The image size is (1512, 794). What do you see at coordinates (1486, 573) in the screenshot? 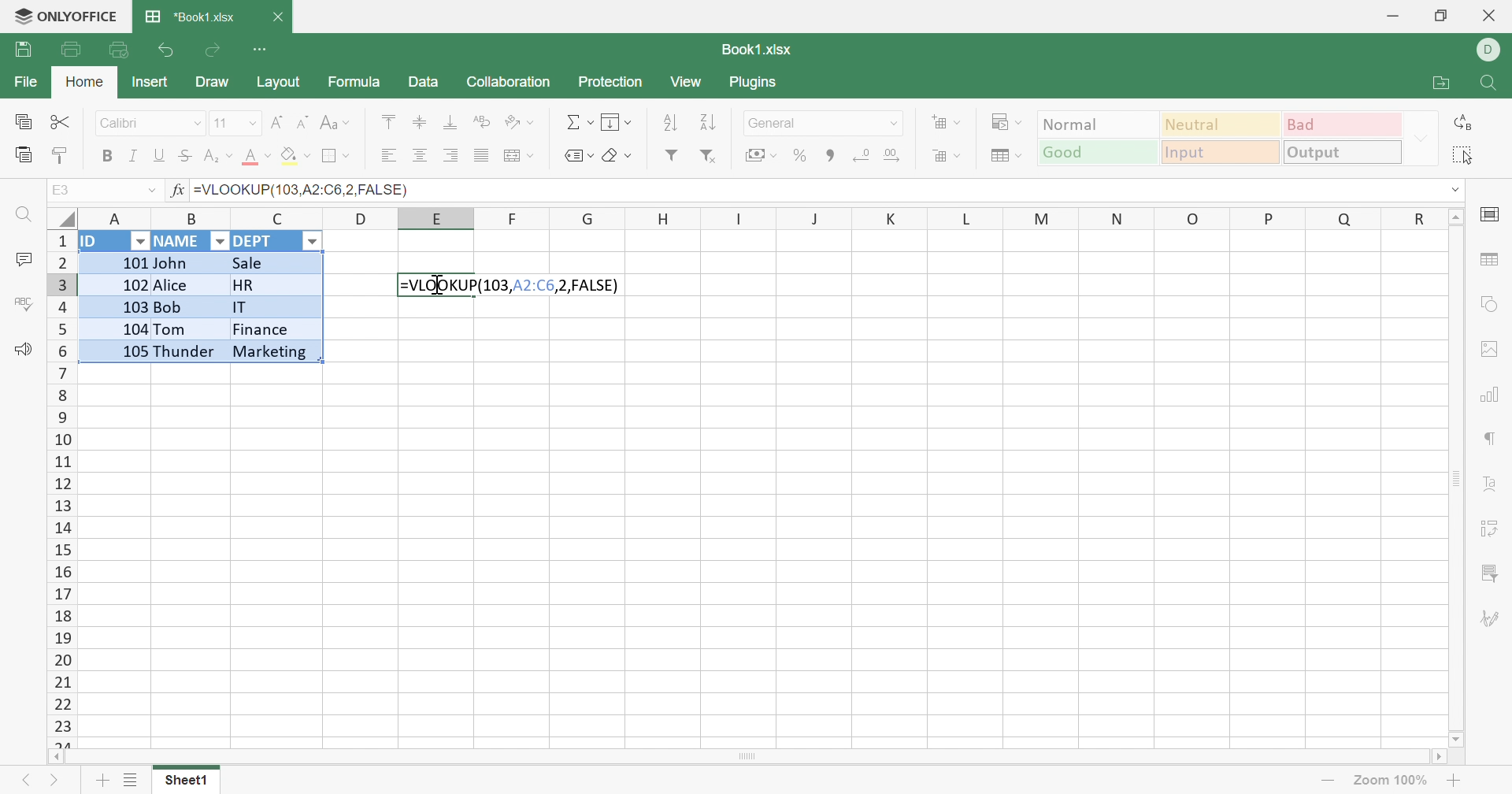
I see `Slicer settings` at bounding box center [1486, 573].